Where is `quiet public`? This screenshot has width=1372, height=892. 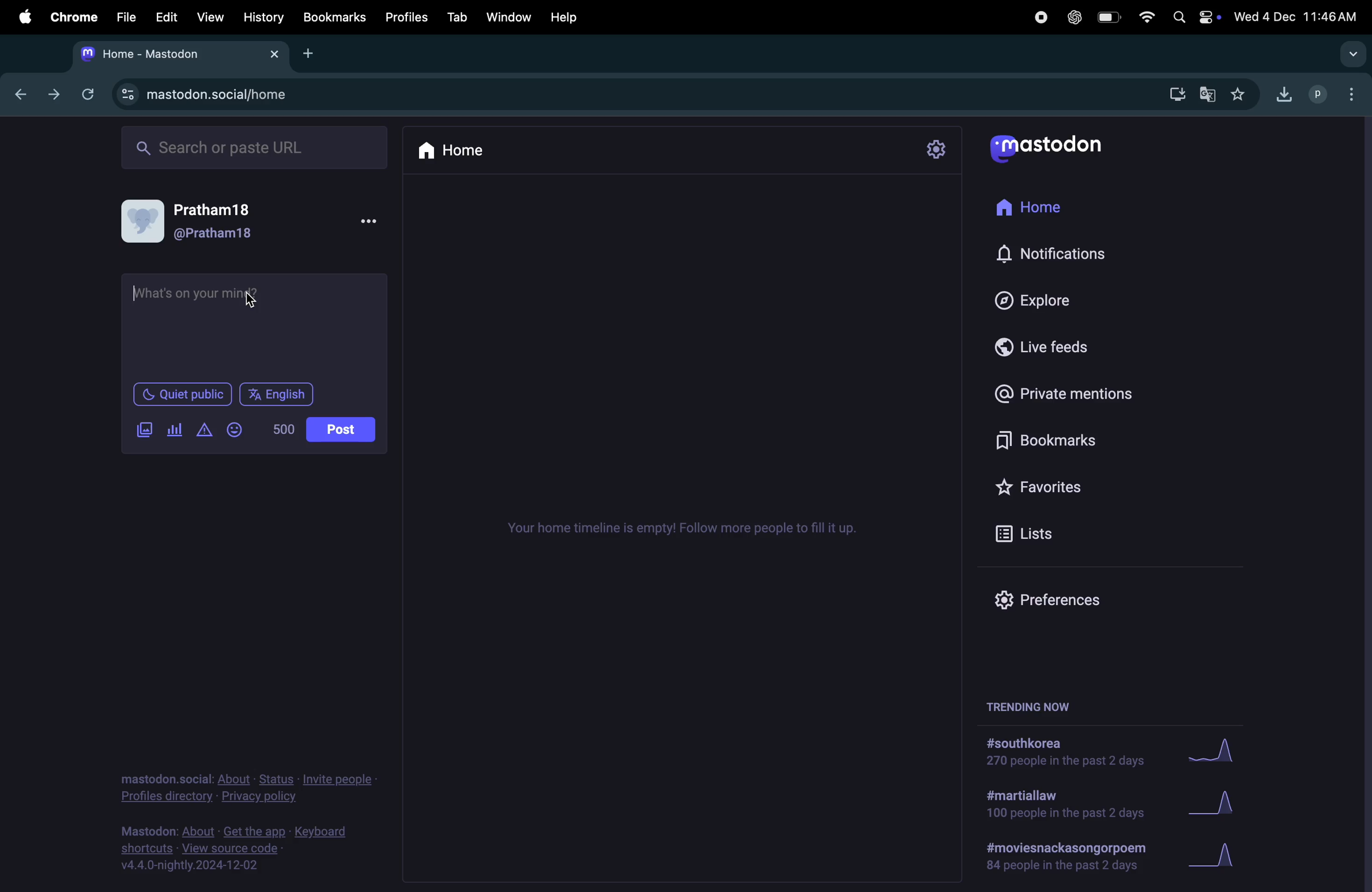
quiet public is located at coordinates (181, 394).